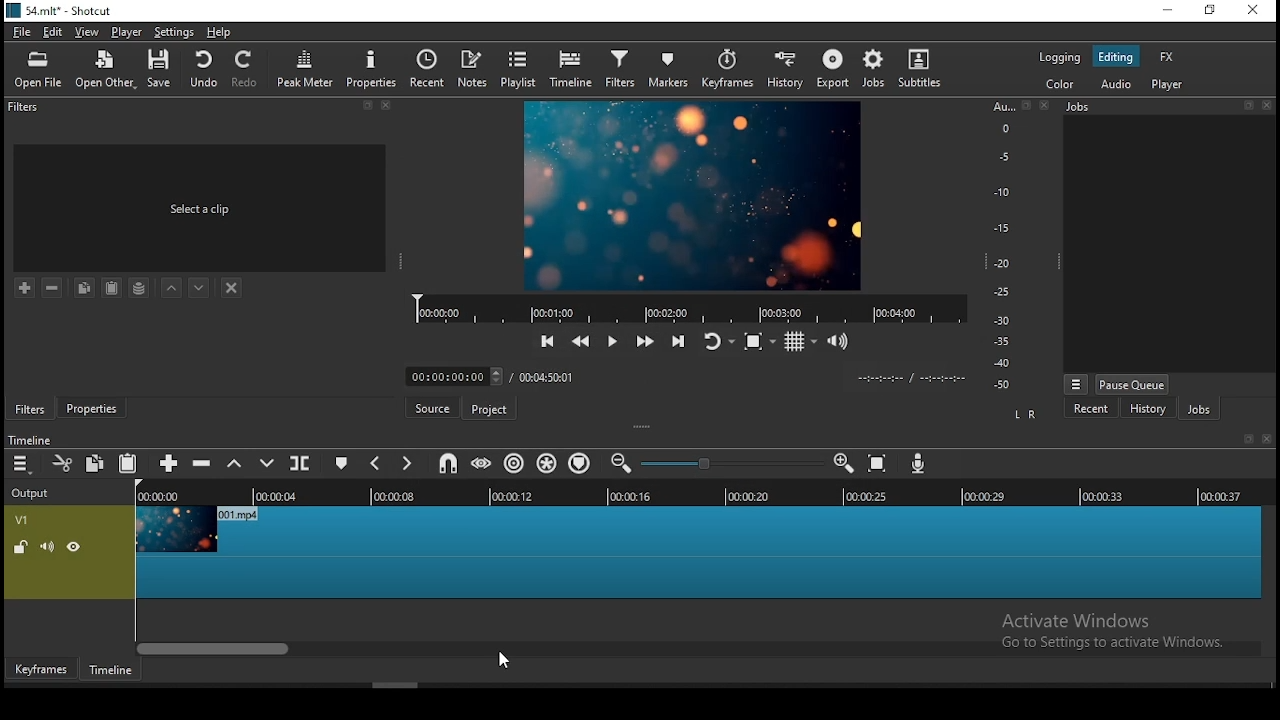 The image size is (1280, 720). Describe the element at coordinates (1059, 56) in the screenshot. I see `logging` at that location.